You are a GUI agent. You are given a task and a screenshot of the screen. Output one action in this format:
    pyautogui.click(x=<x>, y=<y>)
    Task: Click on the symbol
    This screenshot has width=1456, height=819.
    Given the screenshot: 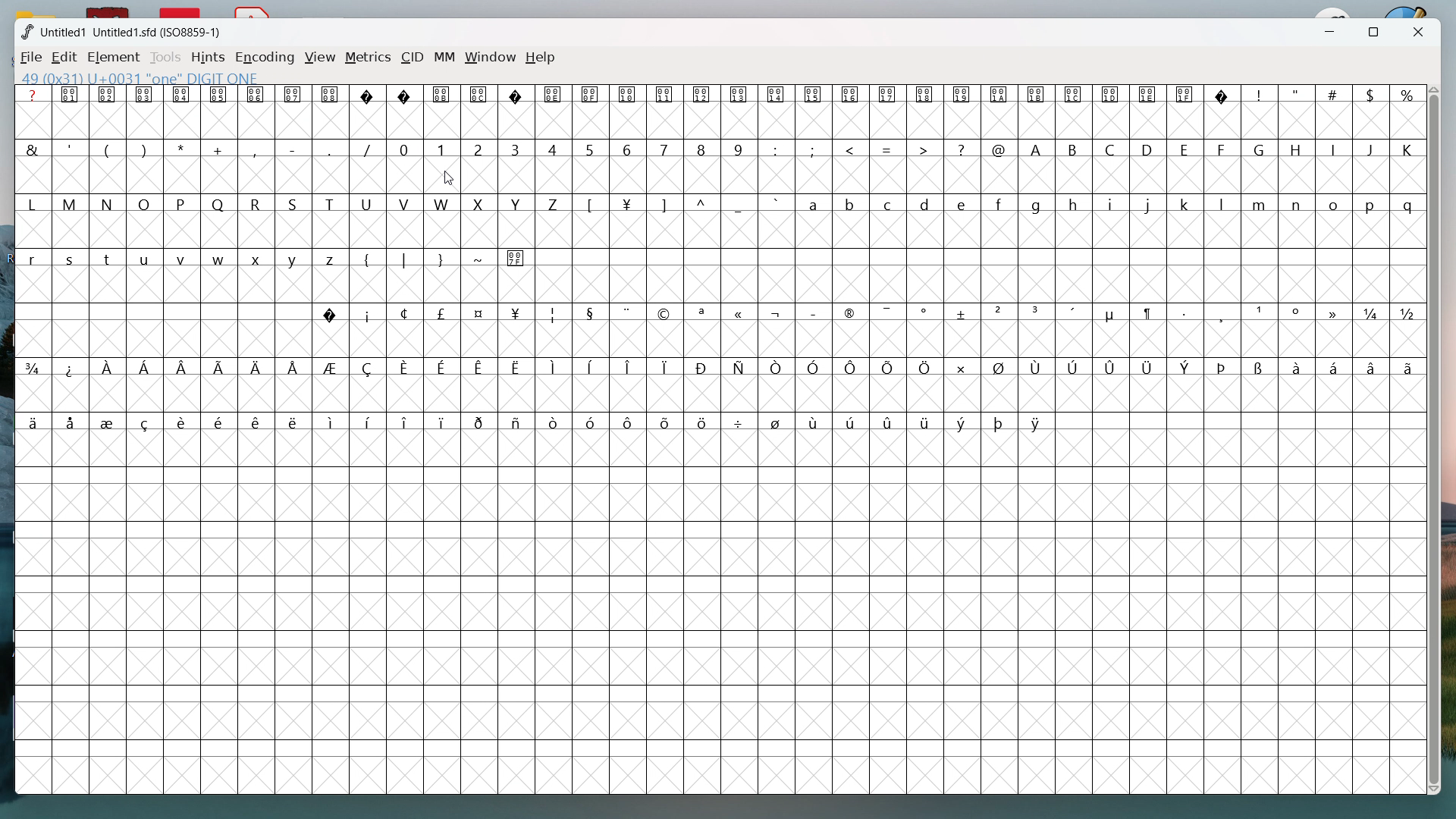 What is the action you would take?
    pyautogui.click(x=704, y=421)
    